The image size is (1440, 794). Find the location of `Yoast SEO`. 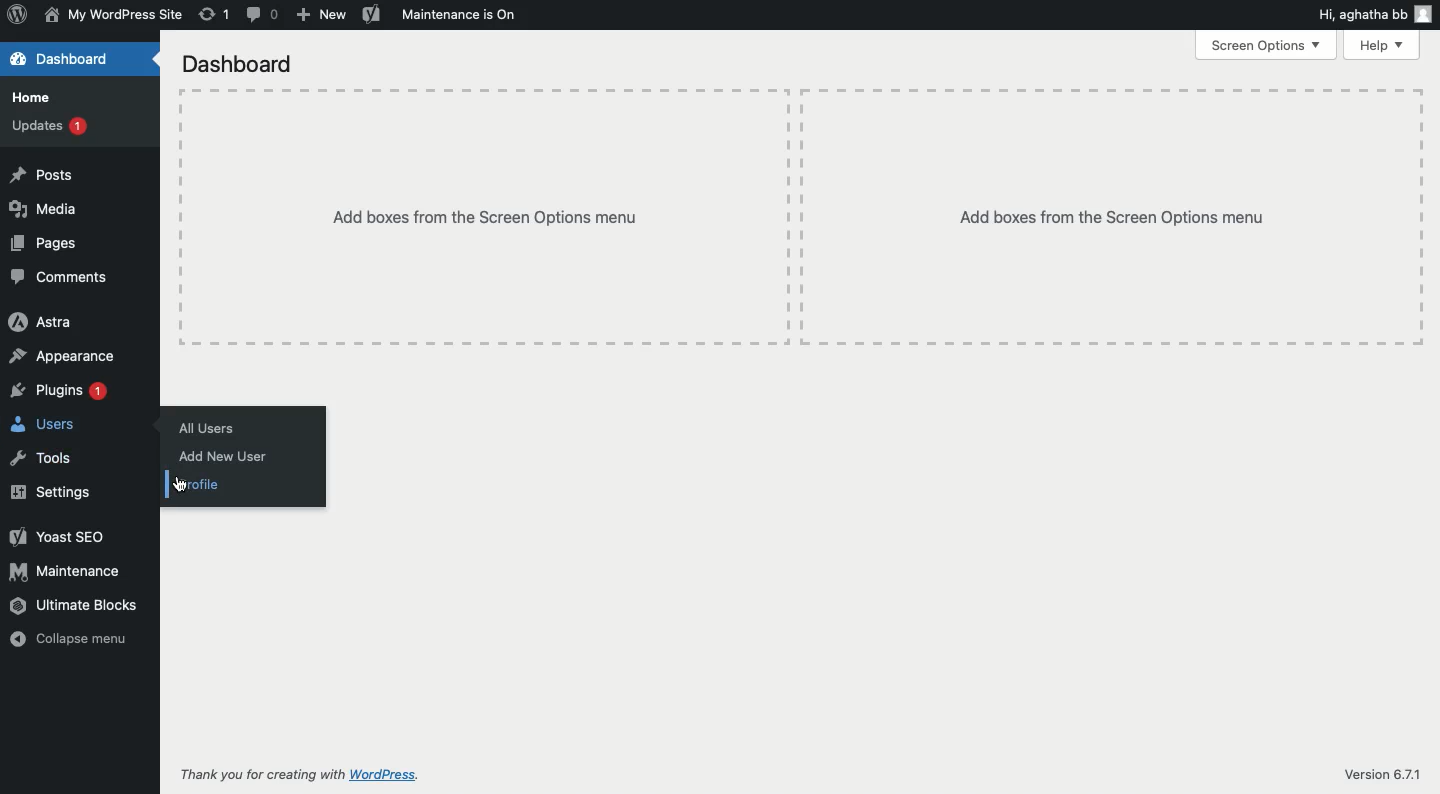

Yoast SEO is located at coordinates (61, 537).